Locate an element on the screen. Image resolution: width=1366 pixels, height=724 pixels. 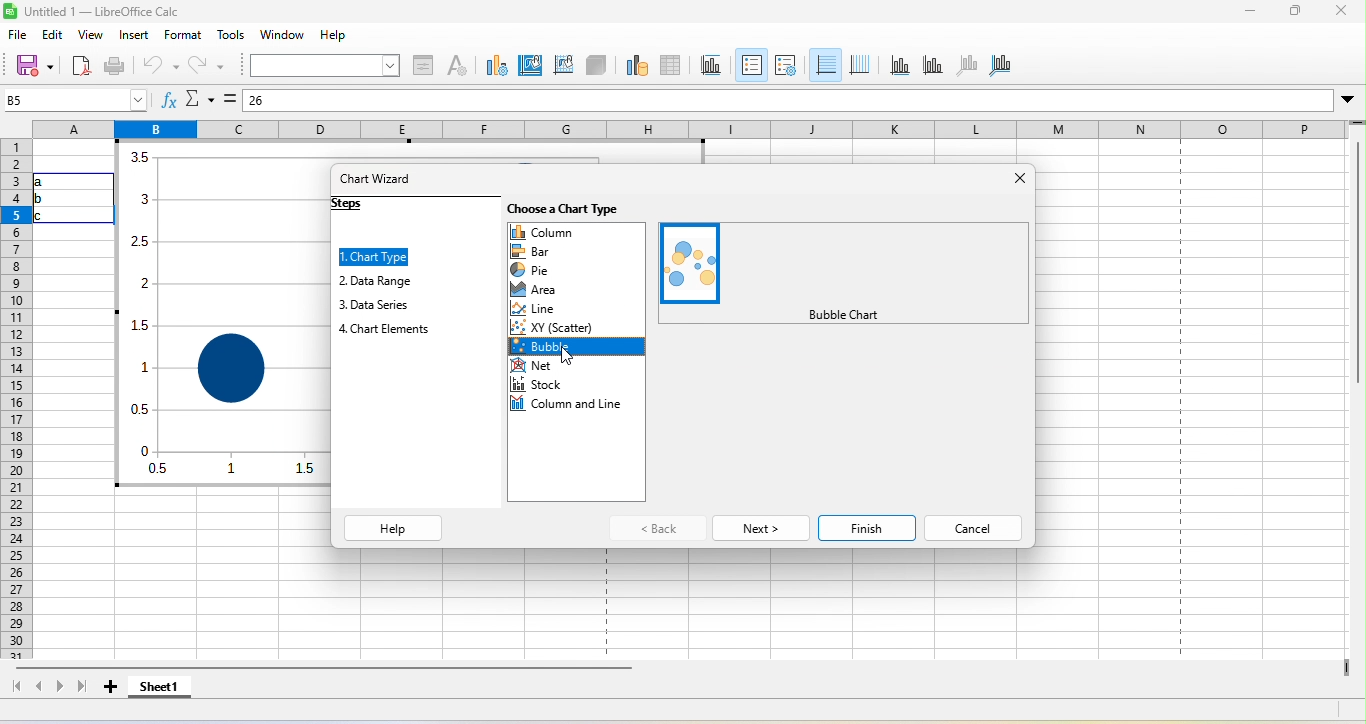
insert is located at coordinates (134, 36).